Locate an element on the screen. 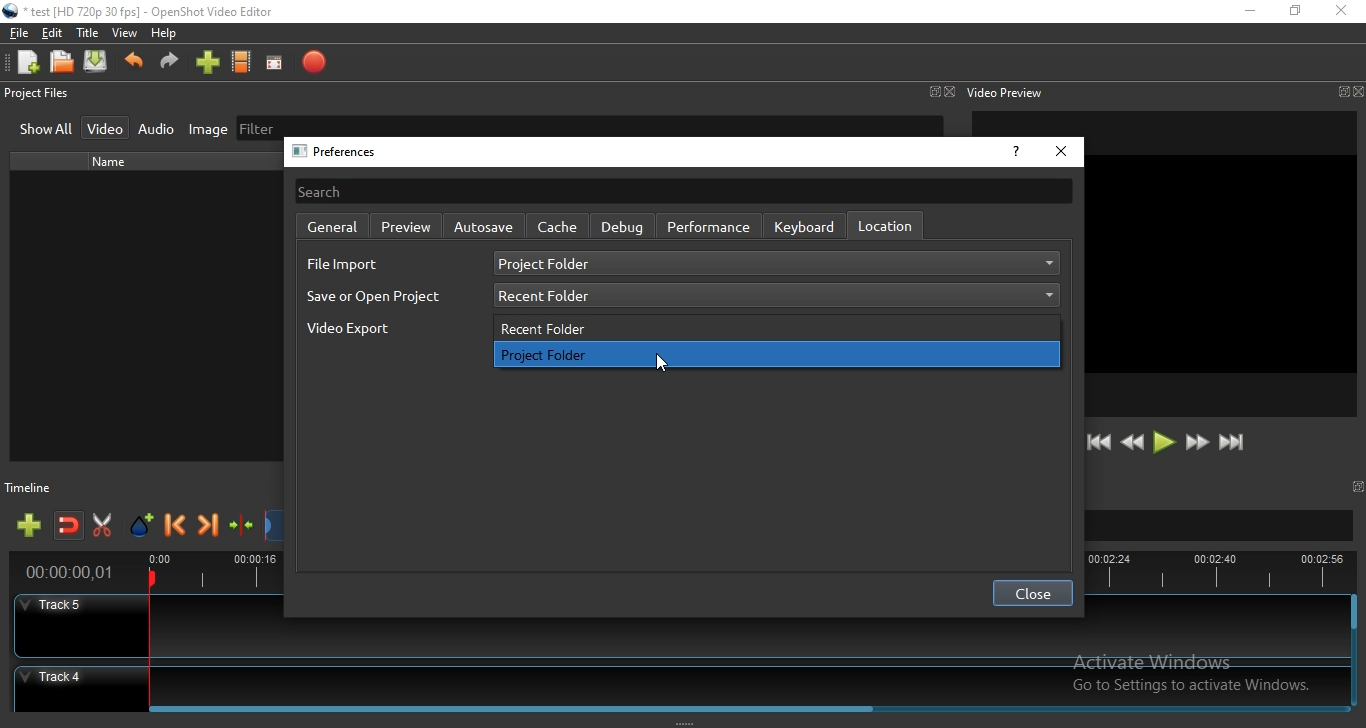 This screenshot has width=1366, height=728. search is located at coordinates (683, 190).